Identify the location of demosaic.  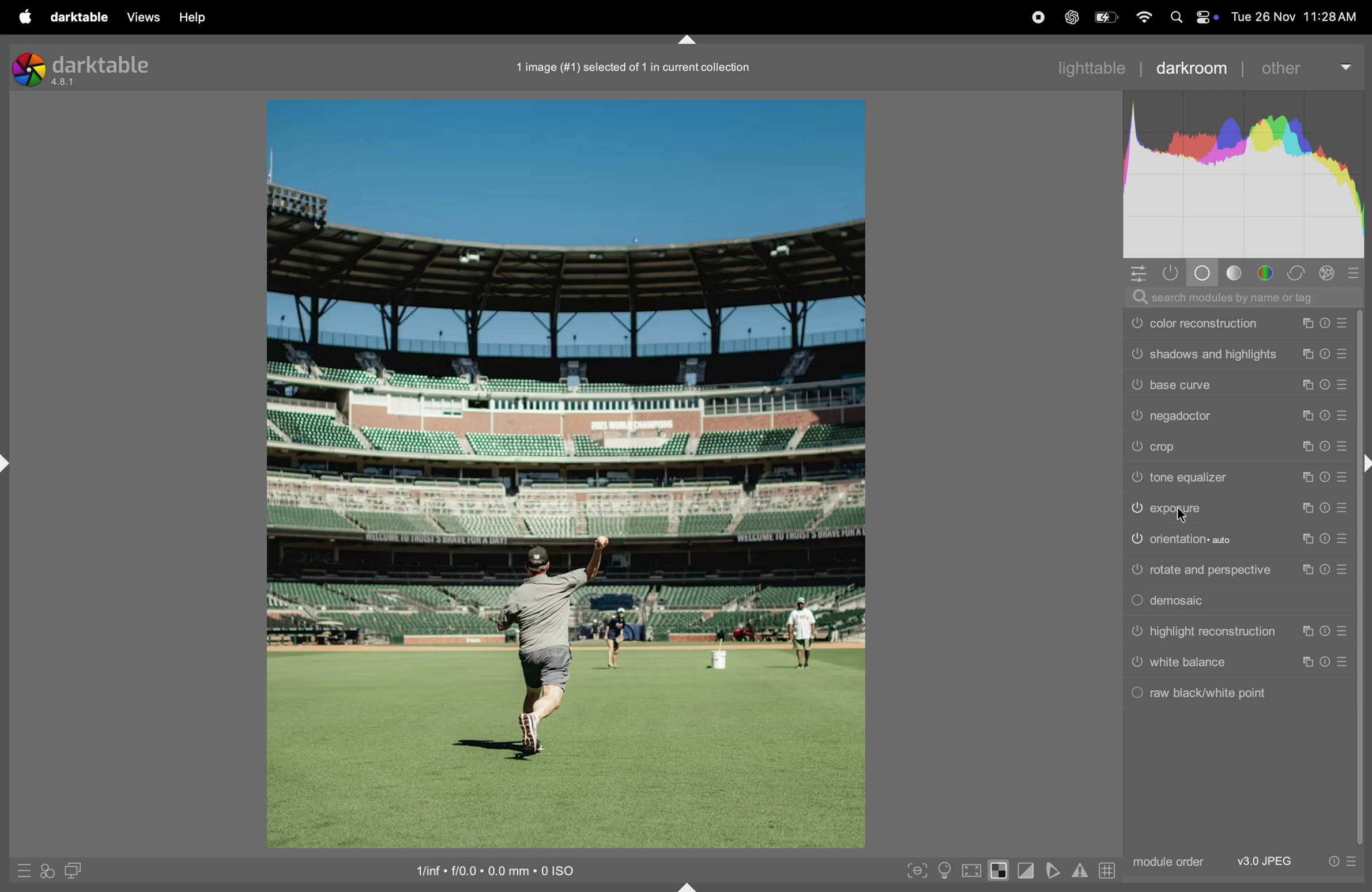
(1182, 602).